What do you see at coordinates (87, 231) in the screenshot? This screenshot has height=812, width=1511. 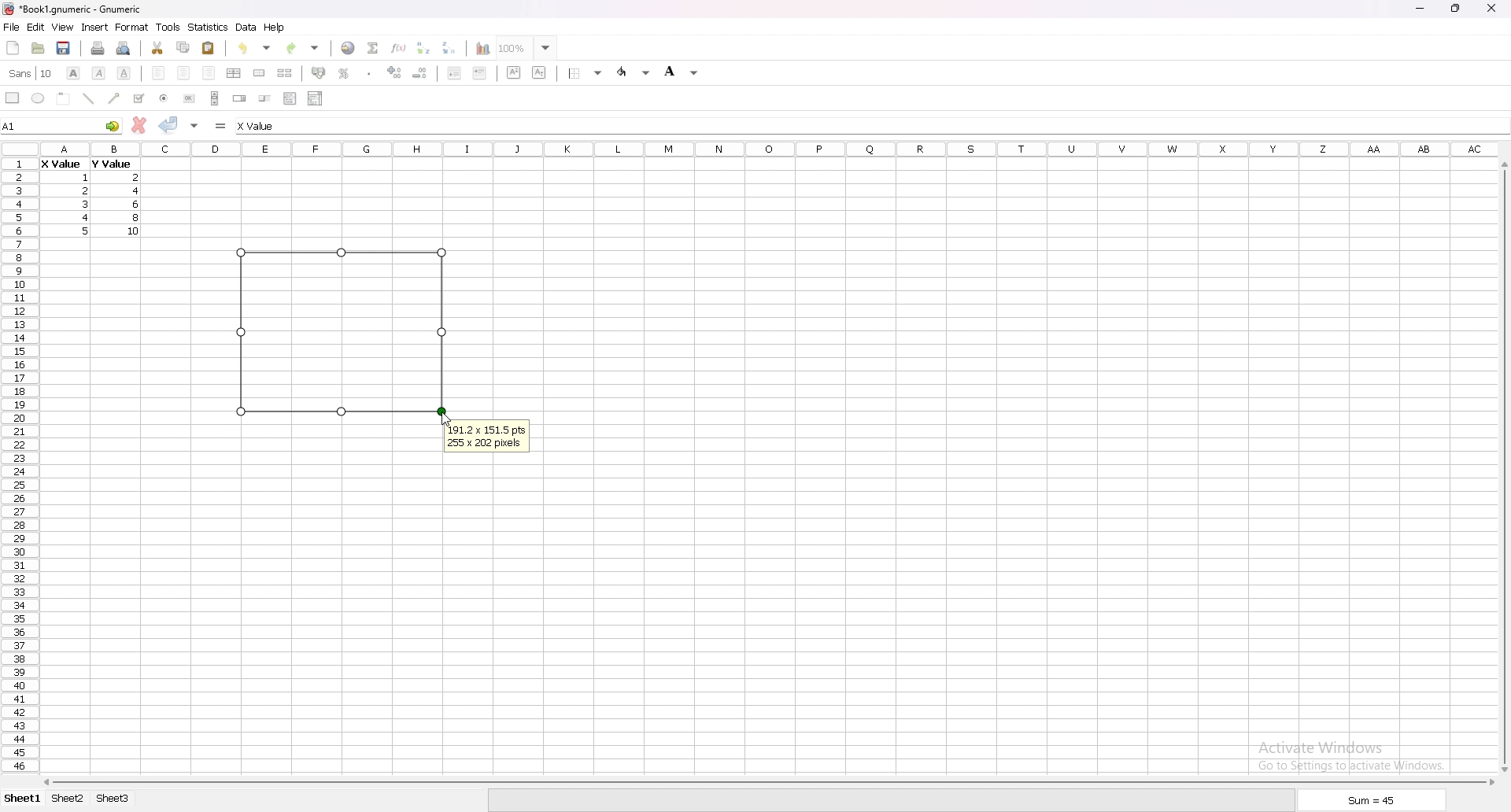 I see `value` at bounding box center [87, 231].